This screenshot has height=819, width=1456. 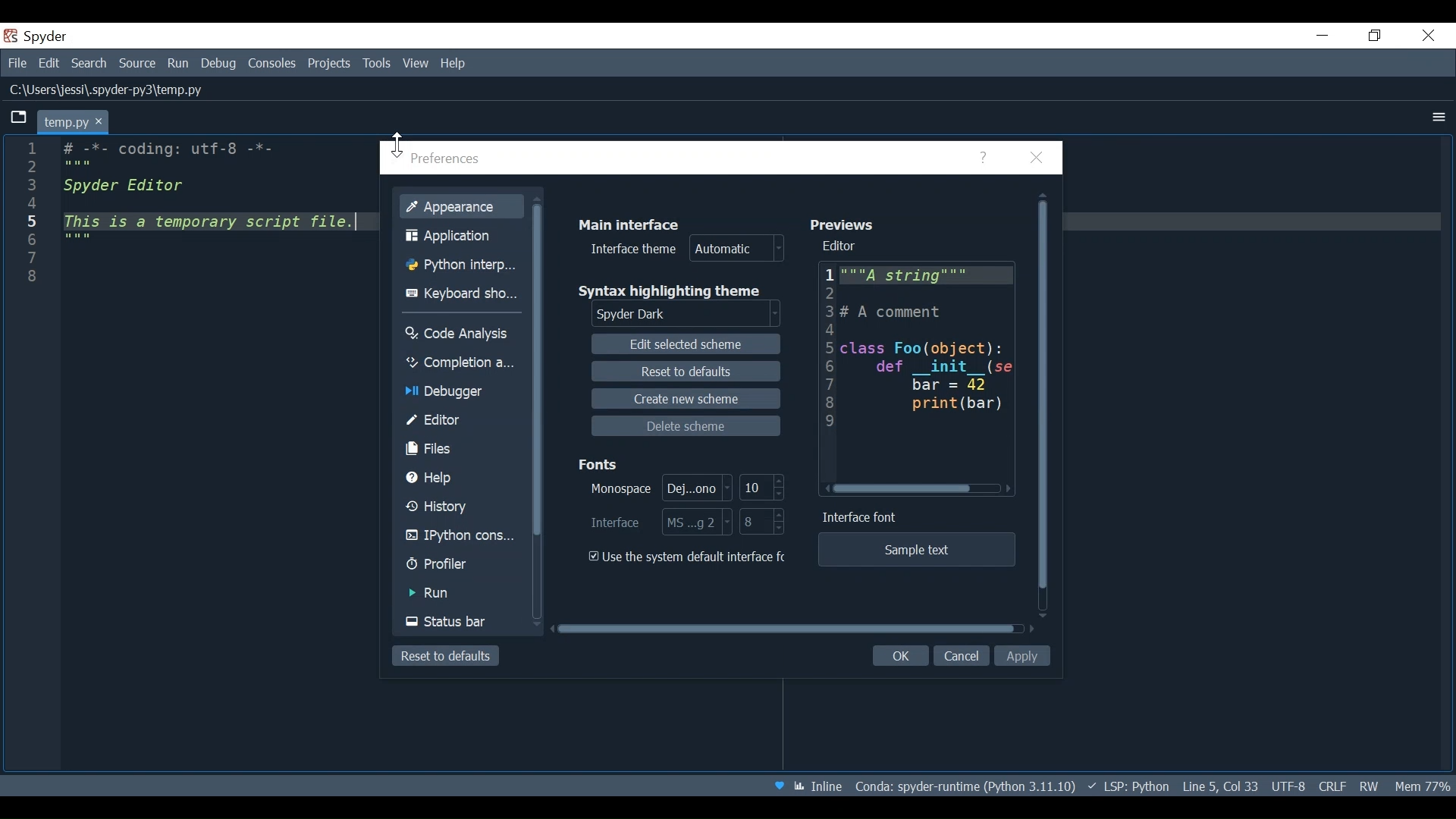 I want to click on Files, so click(x=461, y=449).